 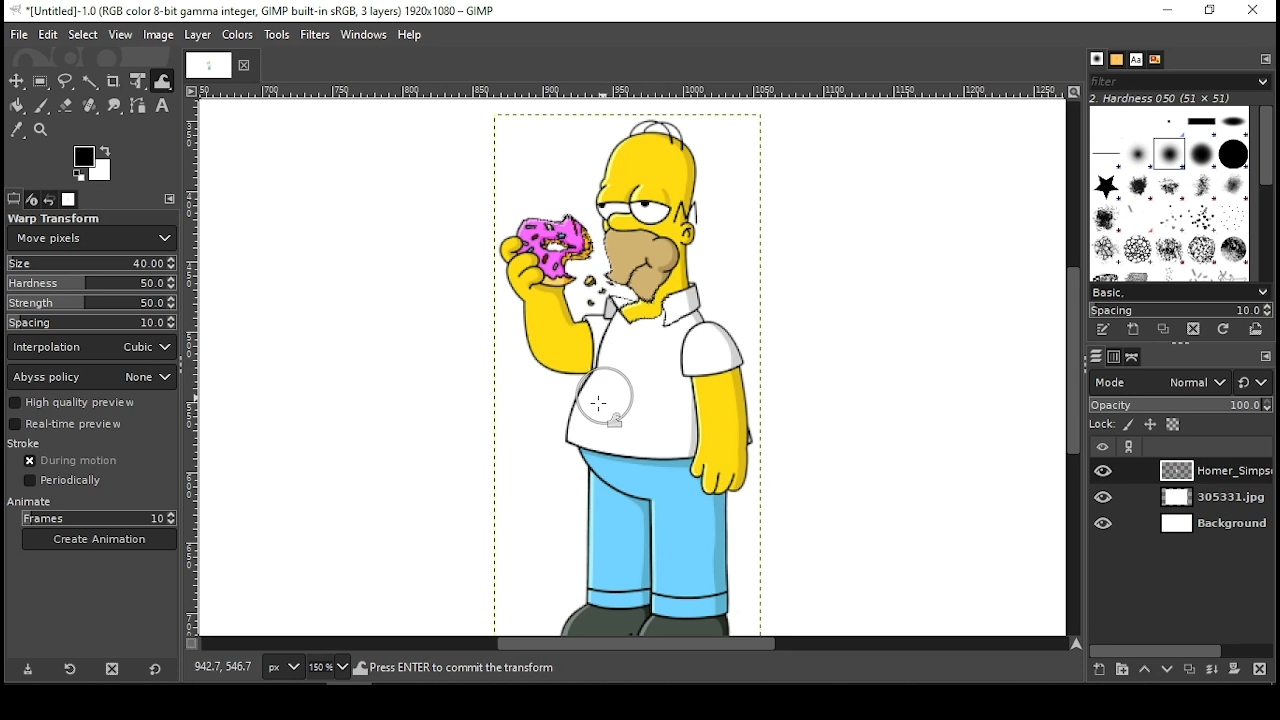 I want to click on interpolation, so click(x=93, y=346).